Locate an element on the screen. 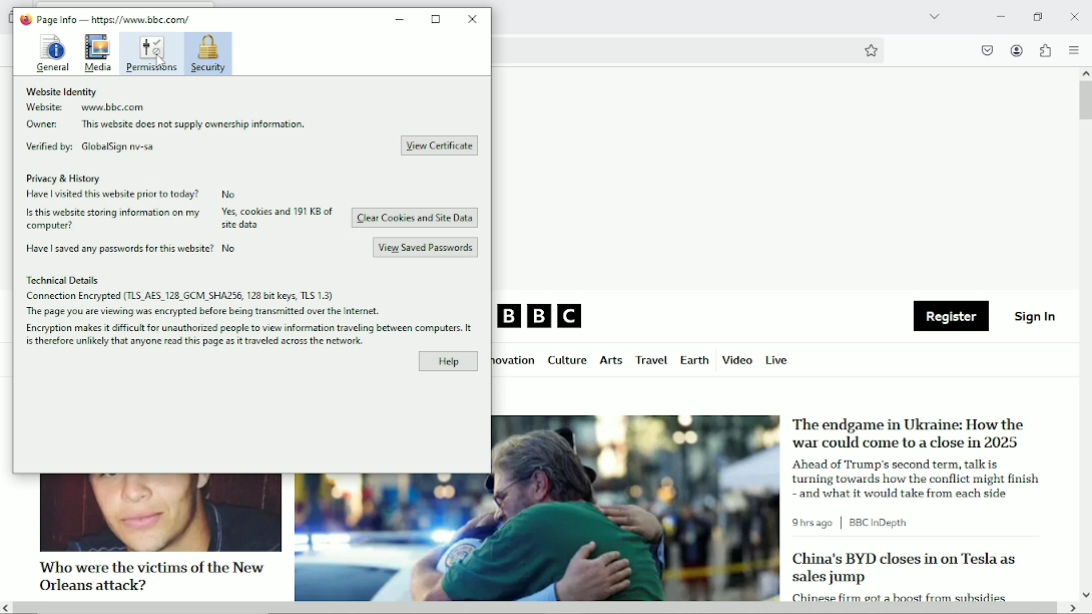 This screenshot has width=1092, height=614. Have i visited this website prior to today? No is located at coordinates (136, 194).